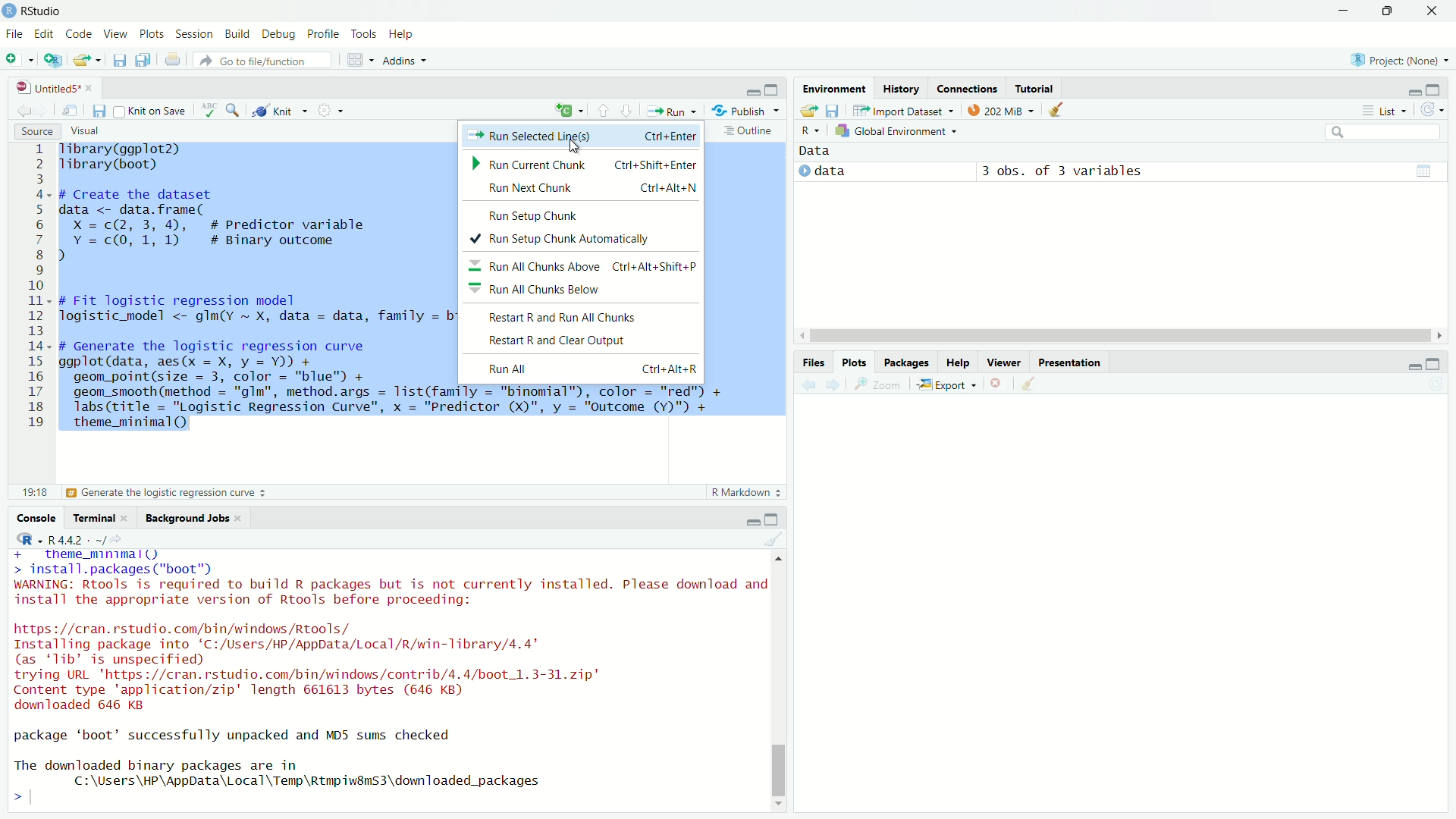 The height and width of the screenshot is (819, 1456). Describe the element at coordinates (77, 539) in the screenshot. I see `R 4.4.2 . ~/` at that location.